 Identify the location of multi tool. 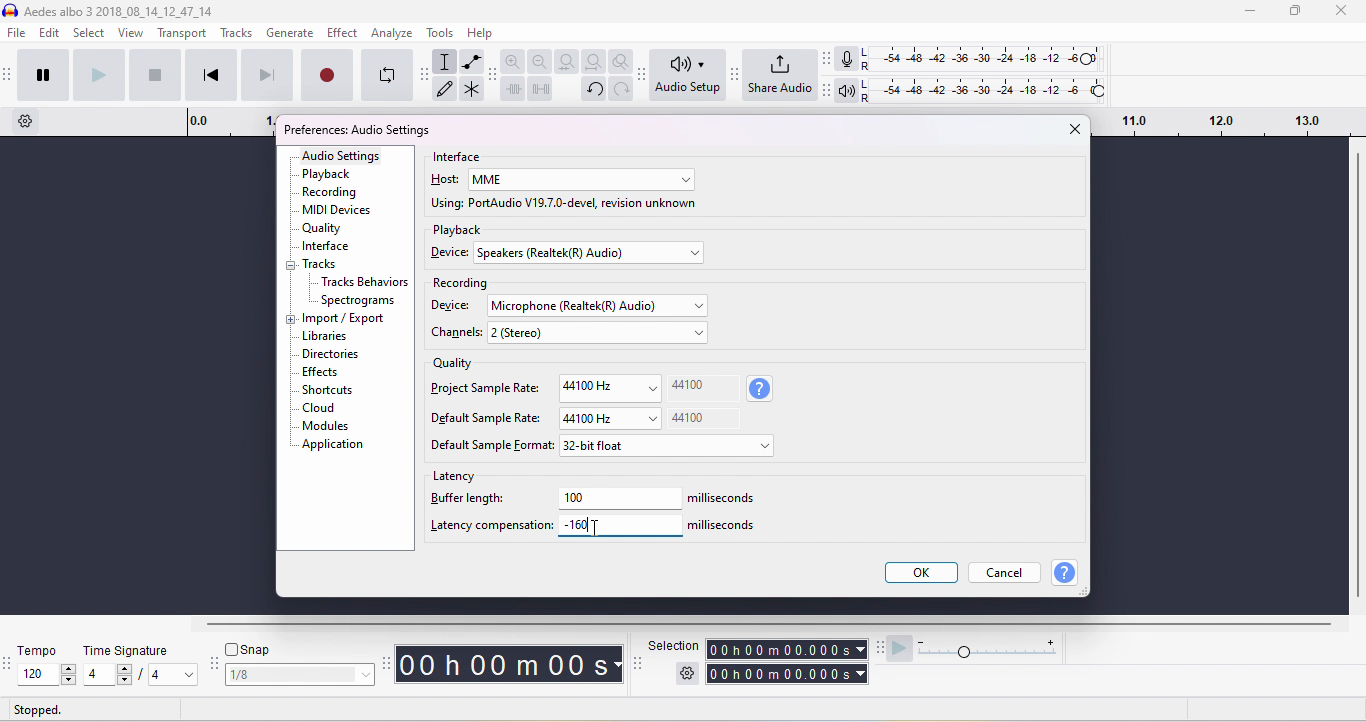
(472, 92).